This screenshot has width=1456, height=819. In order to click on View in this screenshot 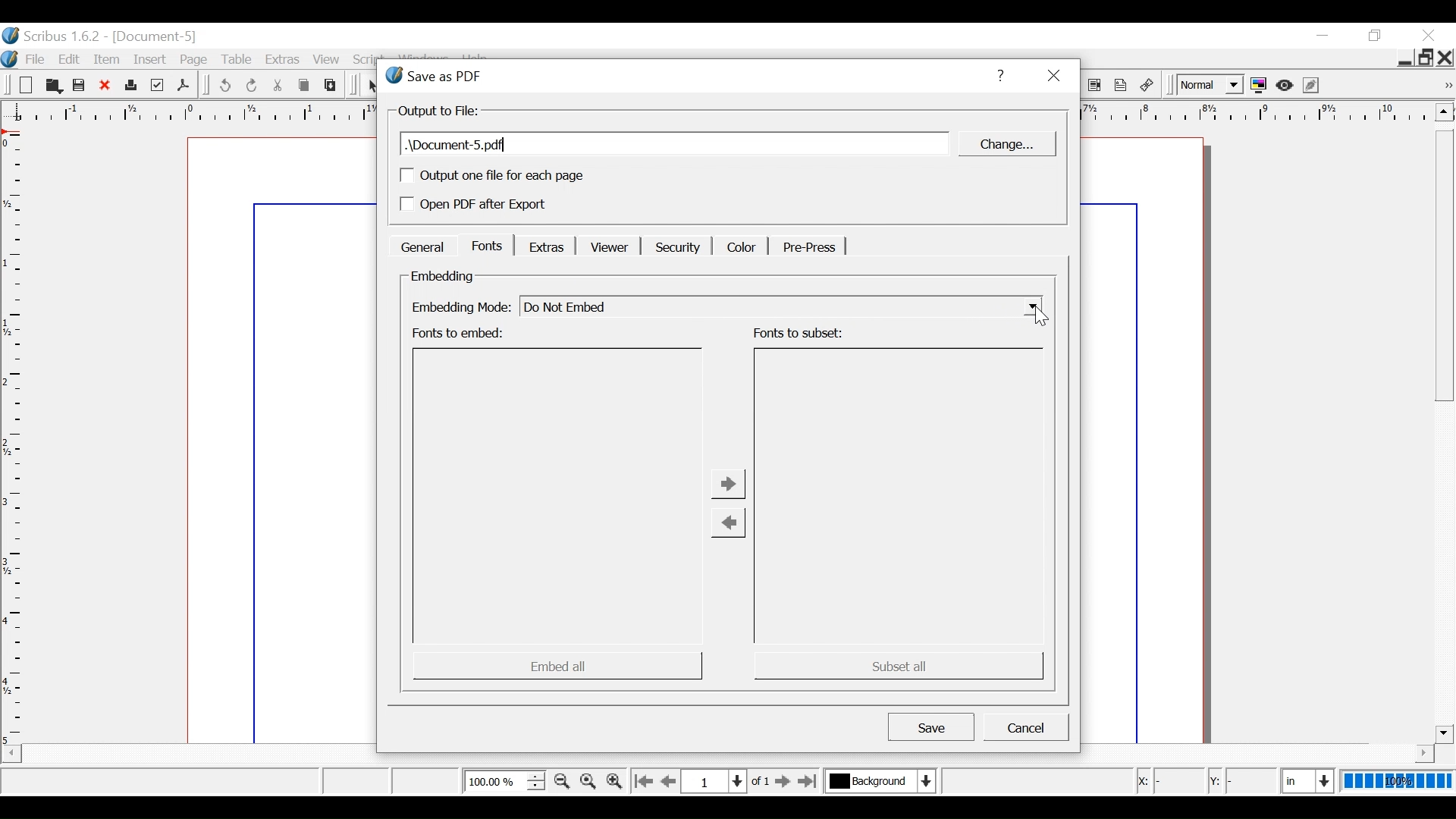, I will do `click(327, 61)`.